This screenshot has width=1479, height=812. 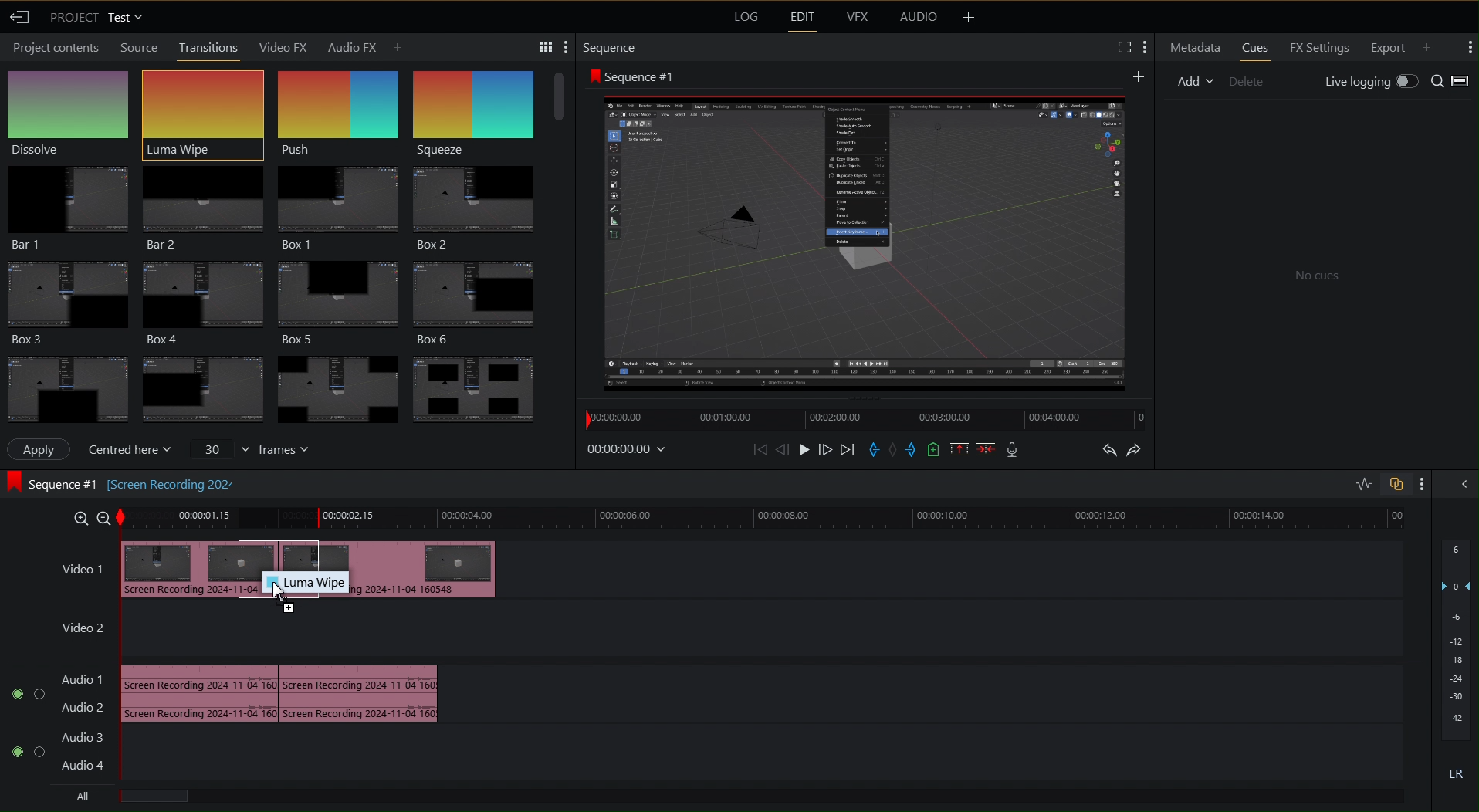 What do you see at coordinates (485, 297) in the screenshot?
I see `Box 6` at bounding box center [485, 297].